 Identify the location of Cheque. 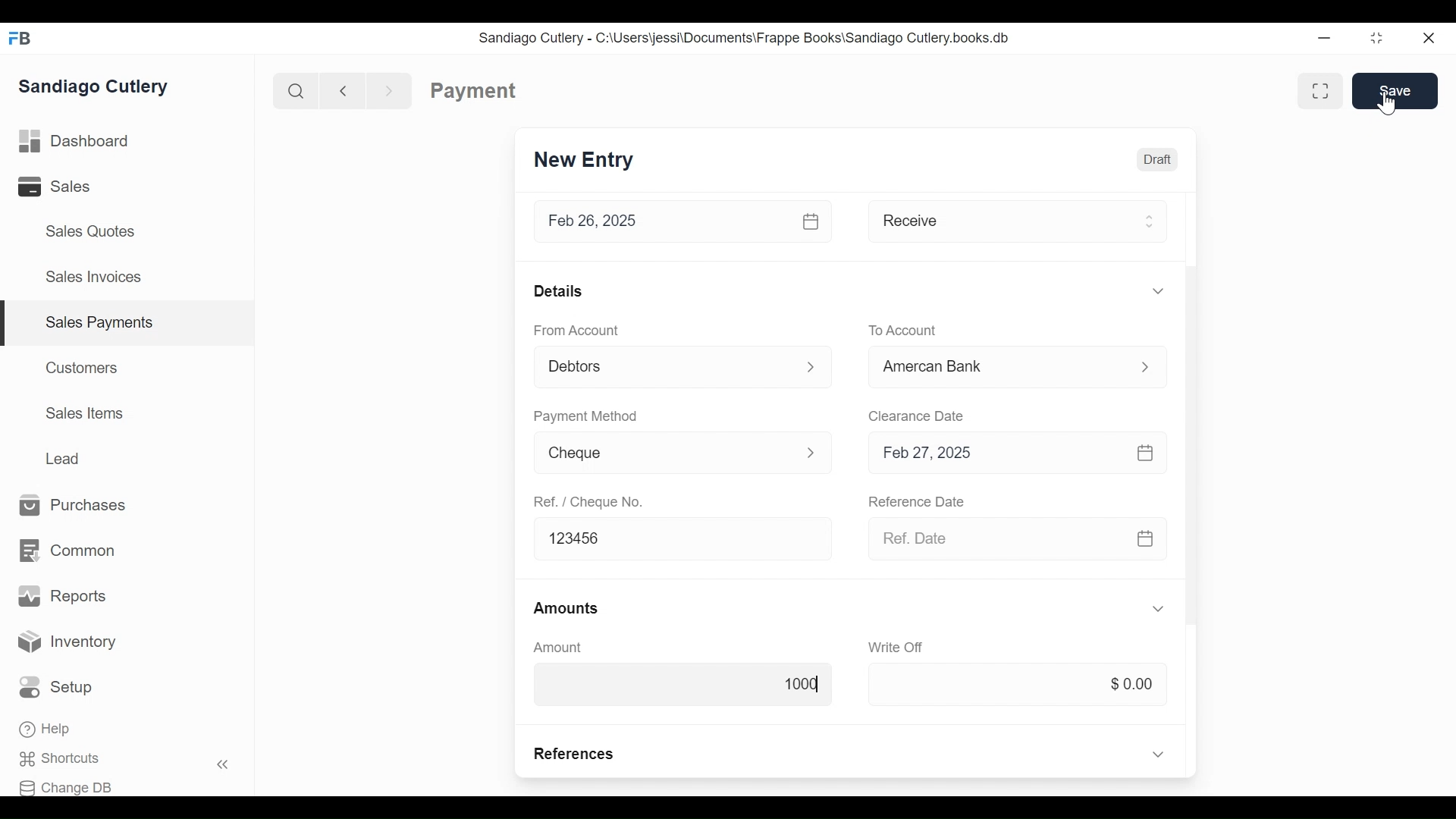
(661, 454).